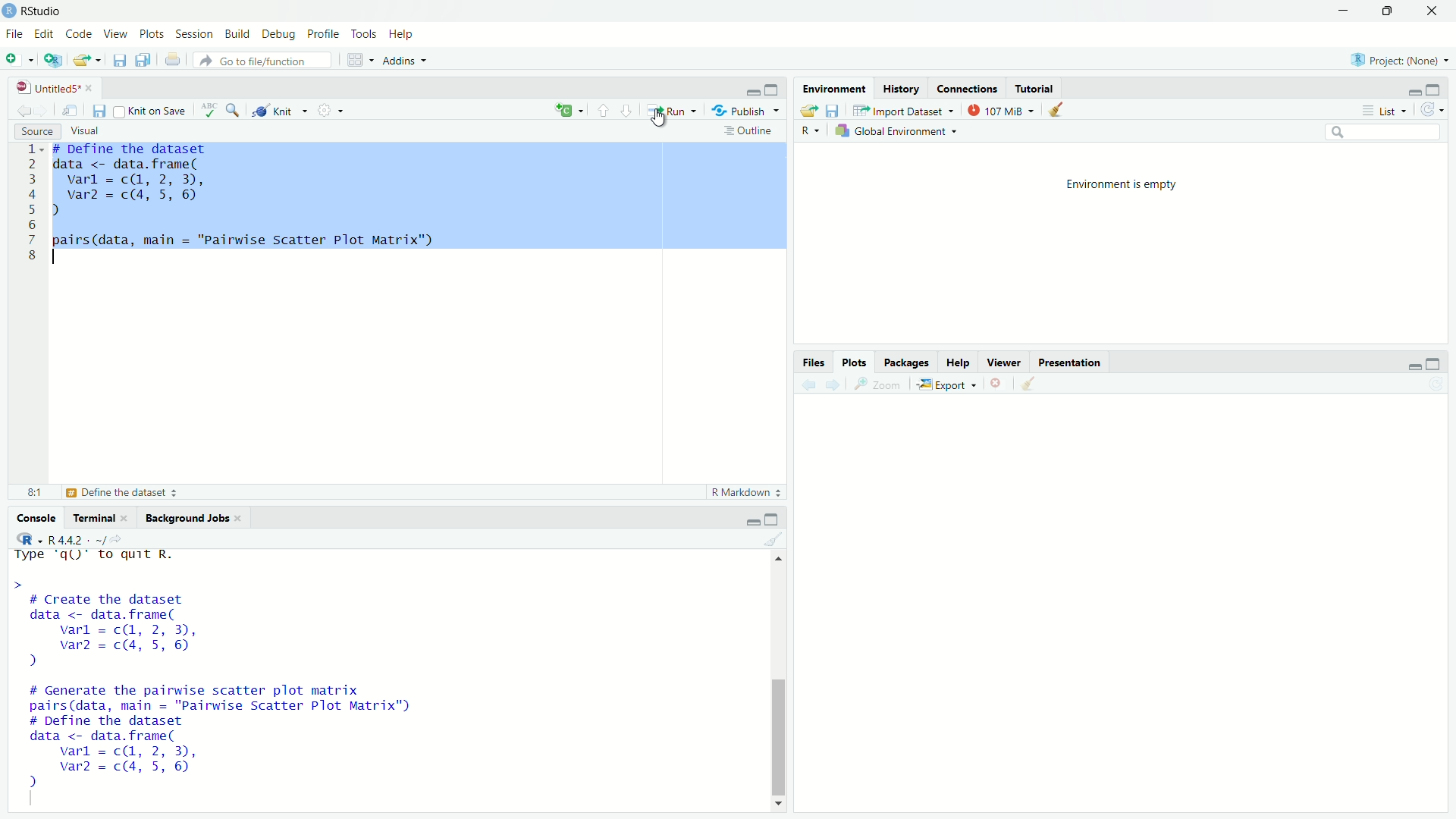 The image size is (1456, 819). Describe the element at coordinates (1434, 91) in the screenshot. I see `Maximize` at that location.